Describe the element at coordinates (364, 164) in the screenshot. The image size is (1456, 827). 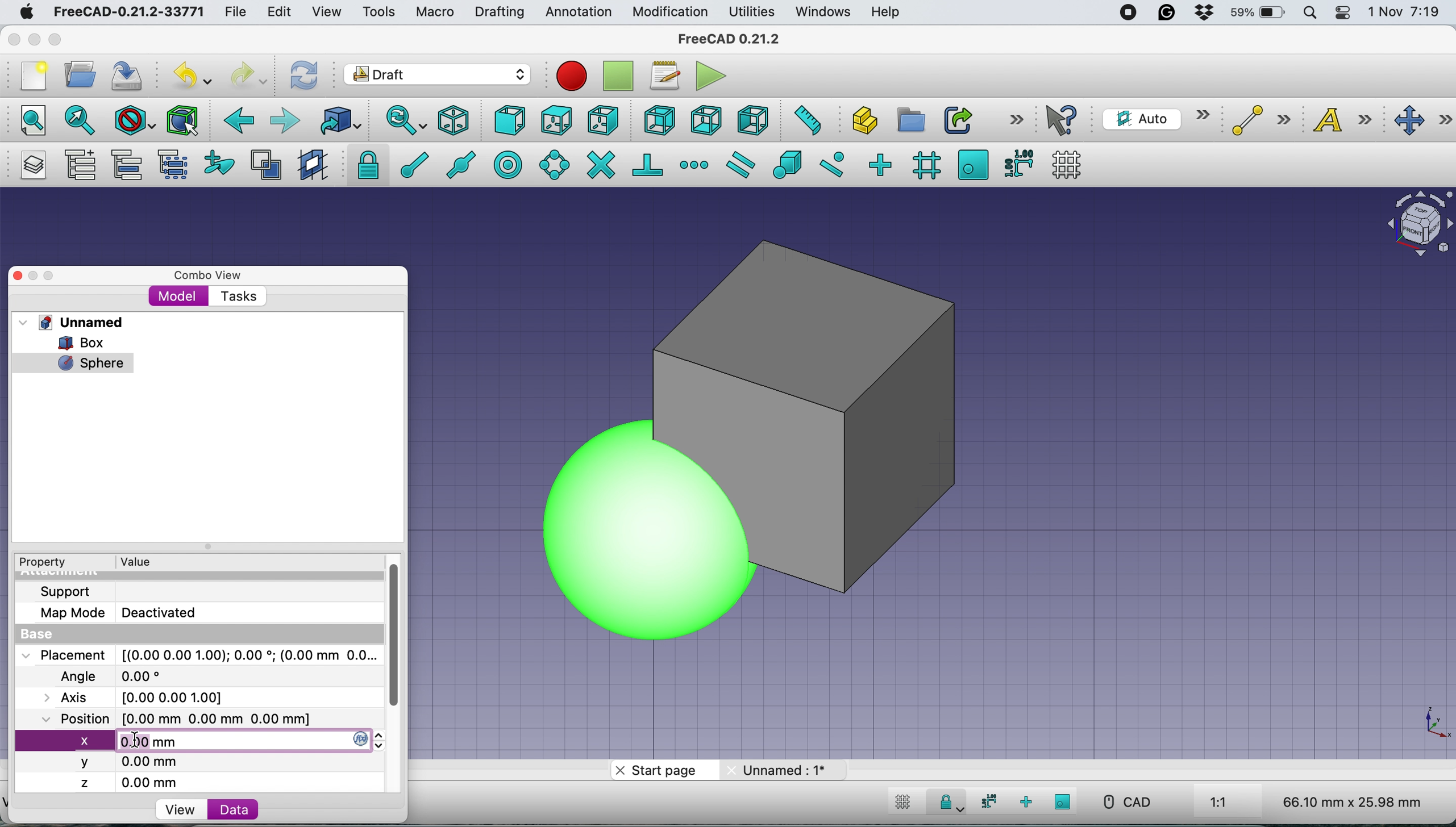
I see `snap lock` at that location.